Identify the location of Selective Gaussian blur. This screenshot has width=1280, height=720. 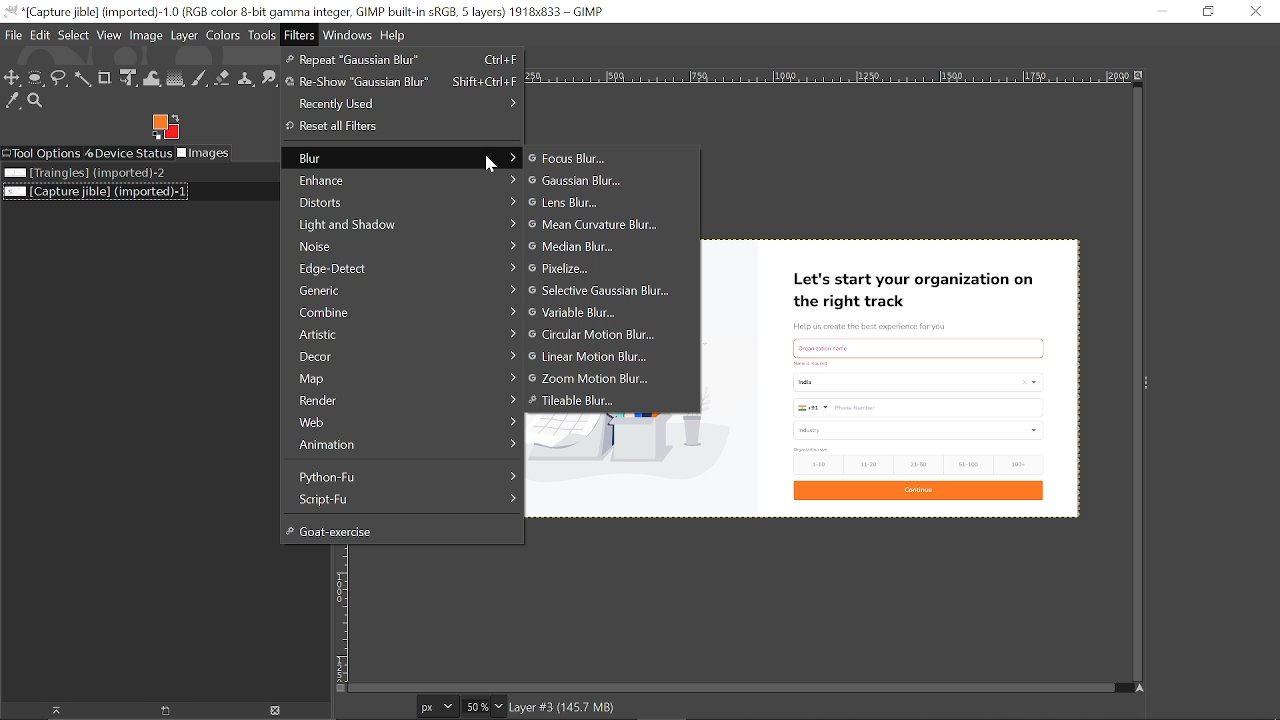
(603, 291).